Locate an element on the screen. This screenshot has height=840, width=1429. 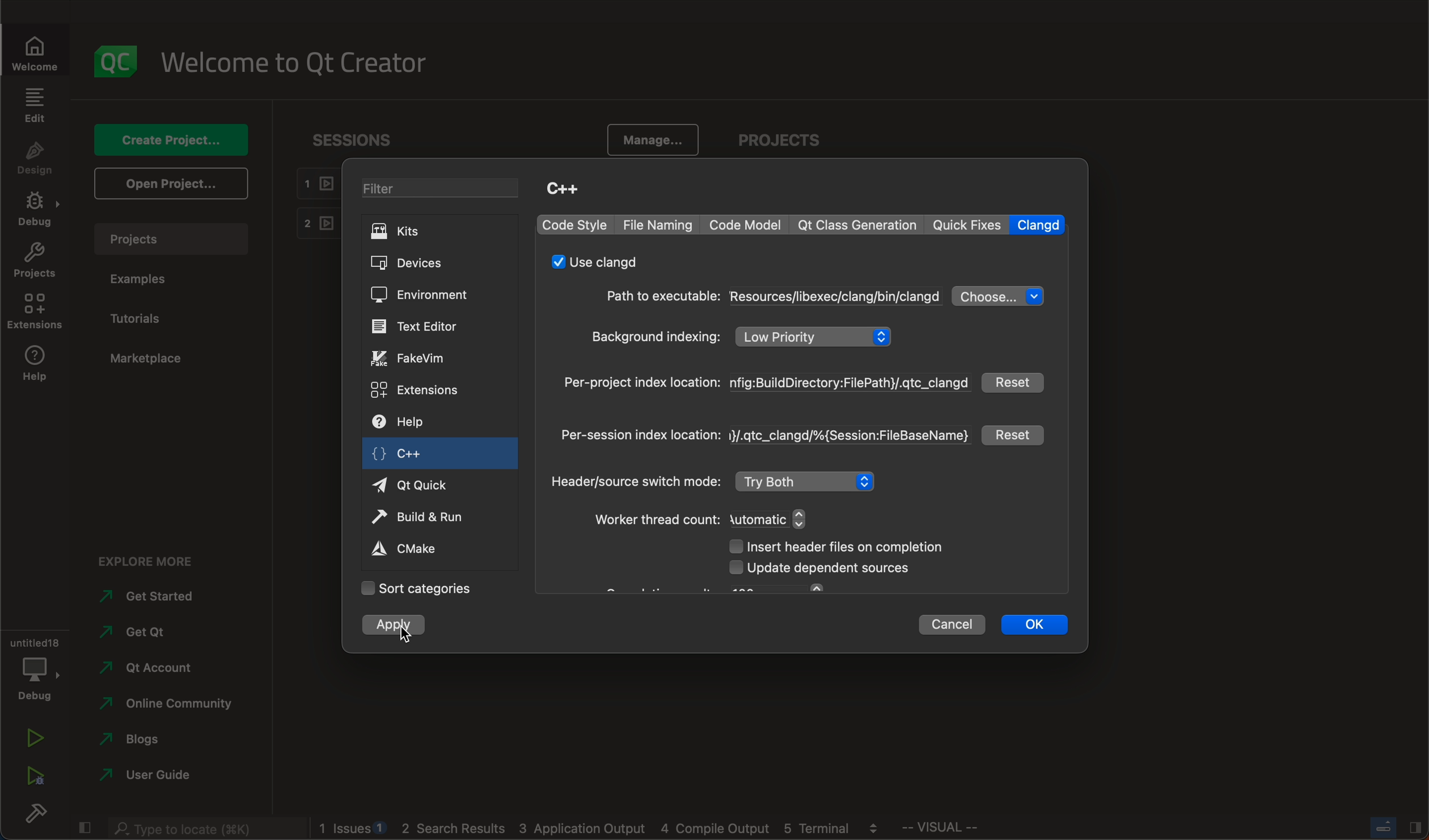
index location is located at coordinates (766, 385).